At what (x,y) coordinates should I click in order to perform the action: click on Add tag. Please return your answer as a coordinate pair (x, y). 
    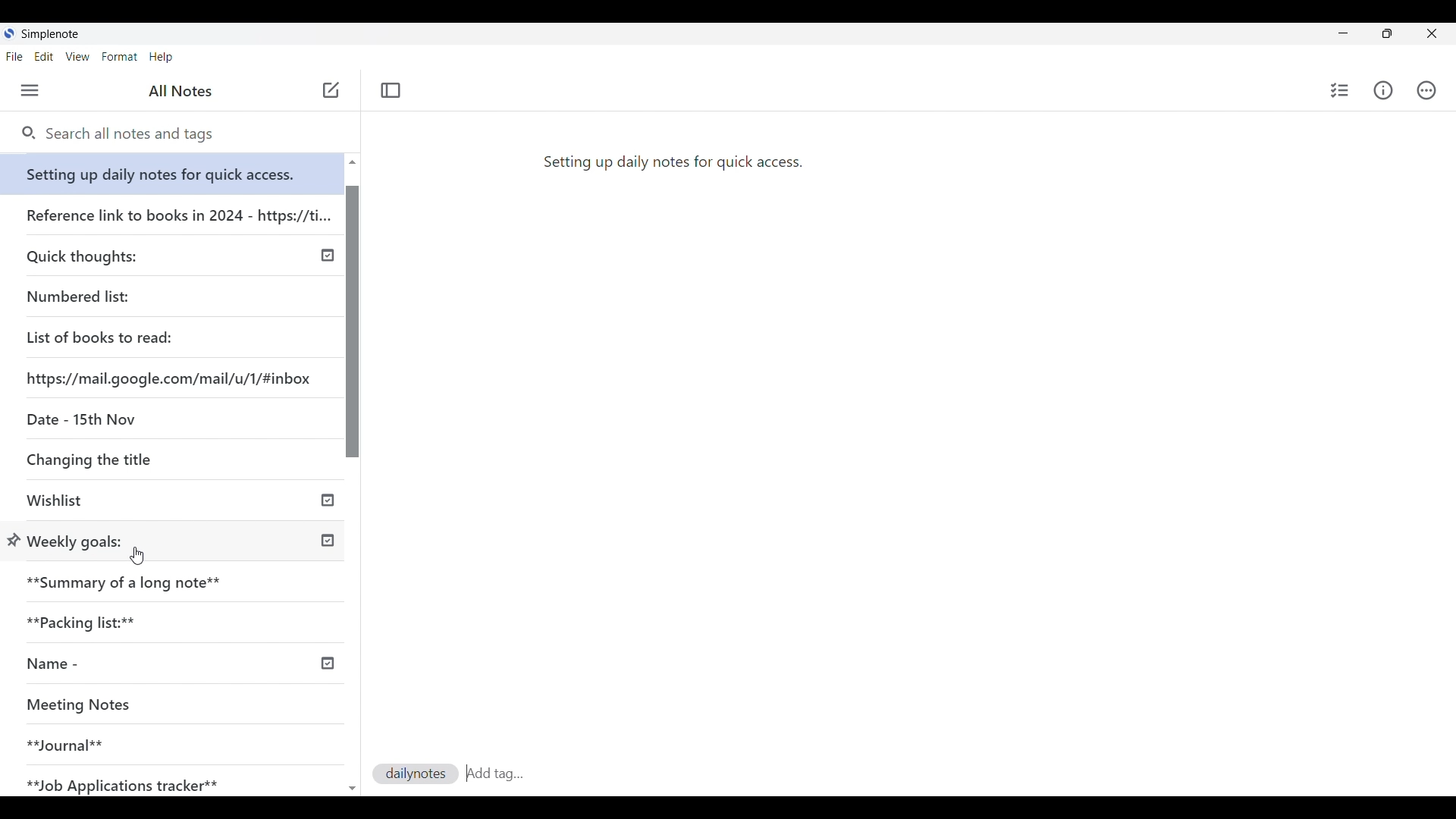
    Looking at the image, I should click on (529, 774).